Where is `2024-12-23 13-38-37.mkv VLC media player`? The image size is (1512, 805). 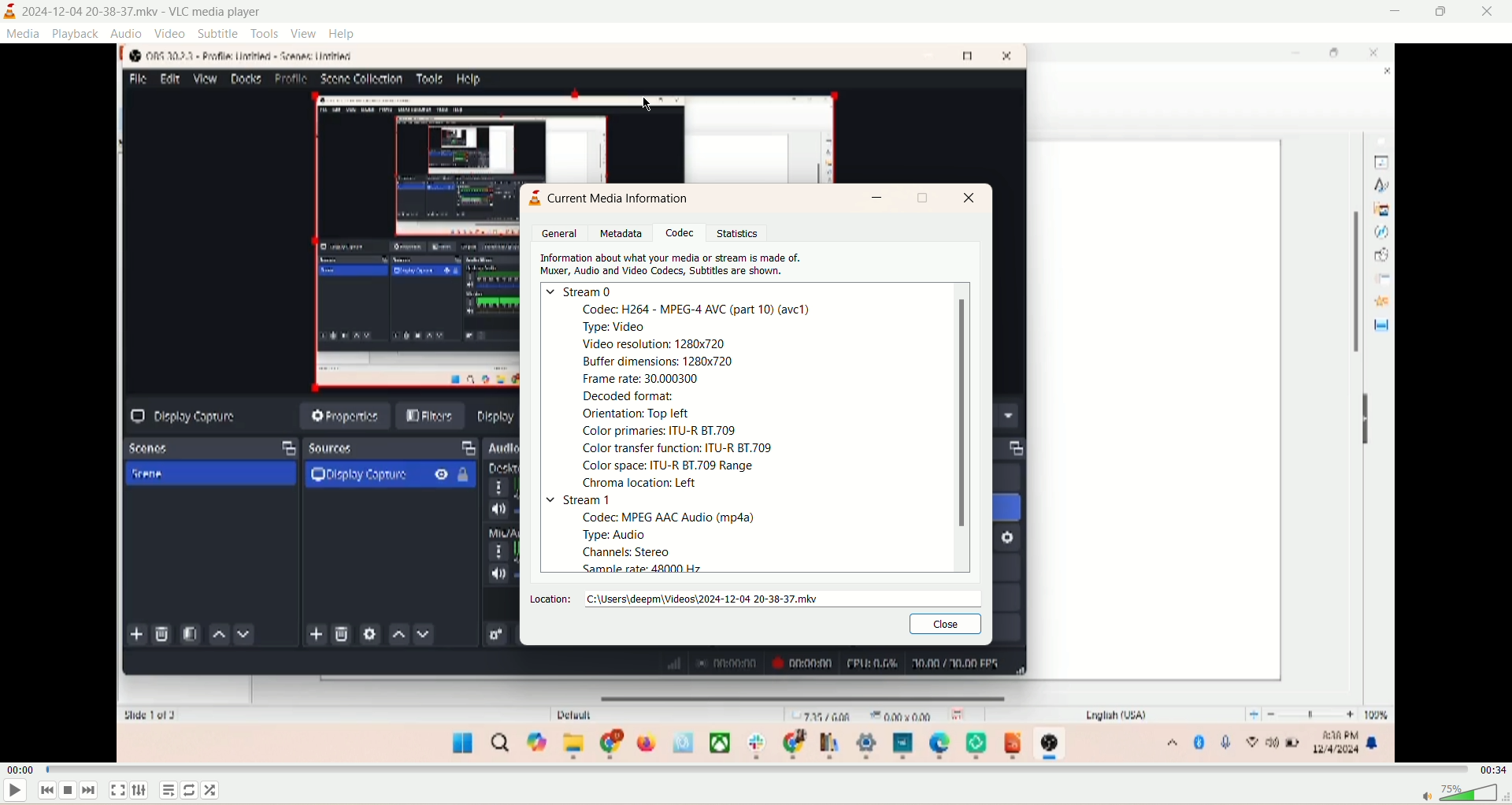
2024-12-23 13-38-37.mkv VLC media player is located at coordinates (143, 11).